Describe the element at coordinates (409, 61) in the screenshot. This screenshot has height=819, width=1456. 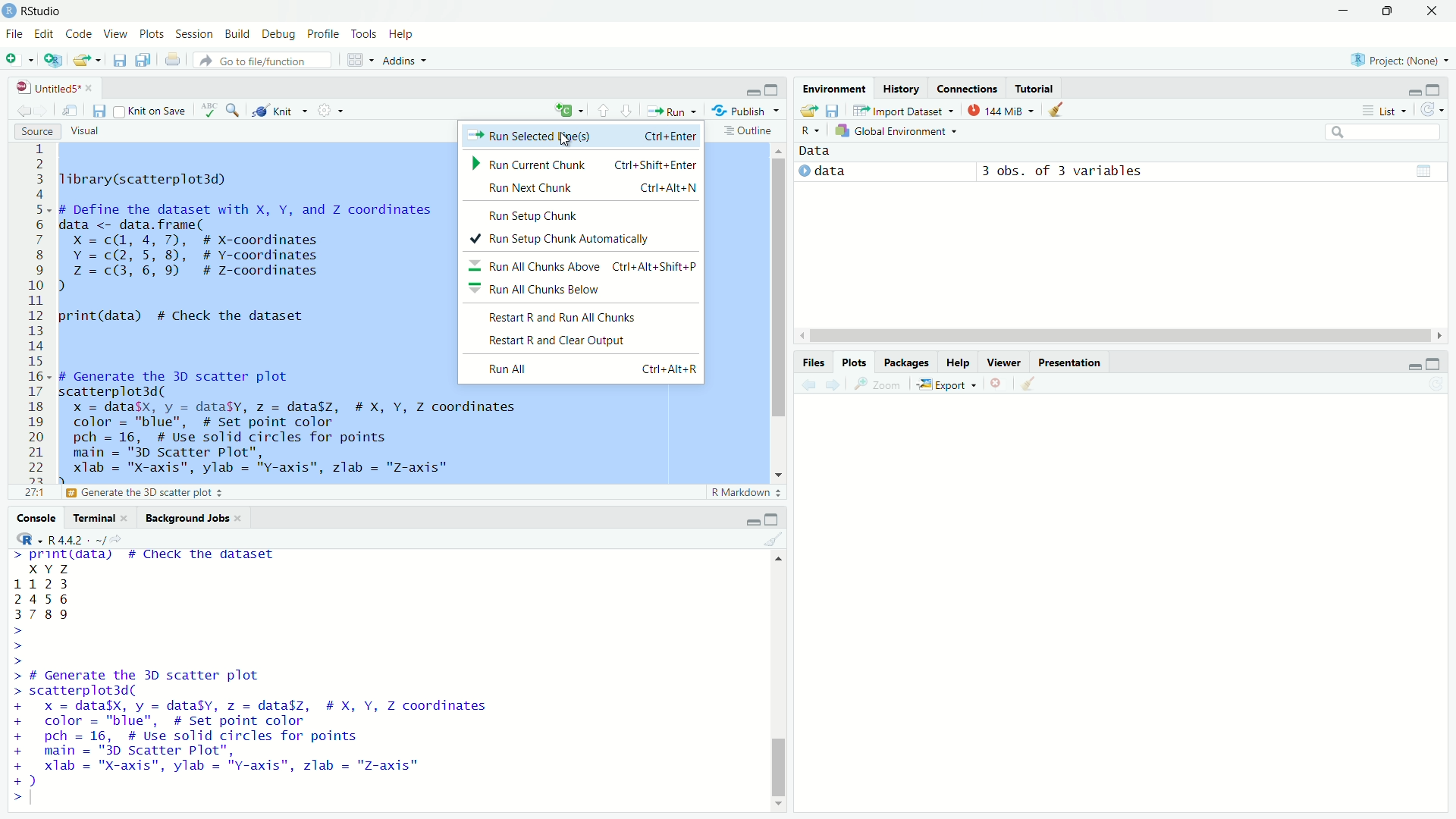
I see `addins` at that location.